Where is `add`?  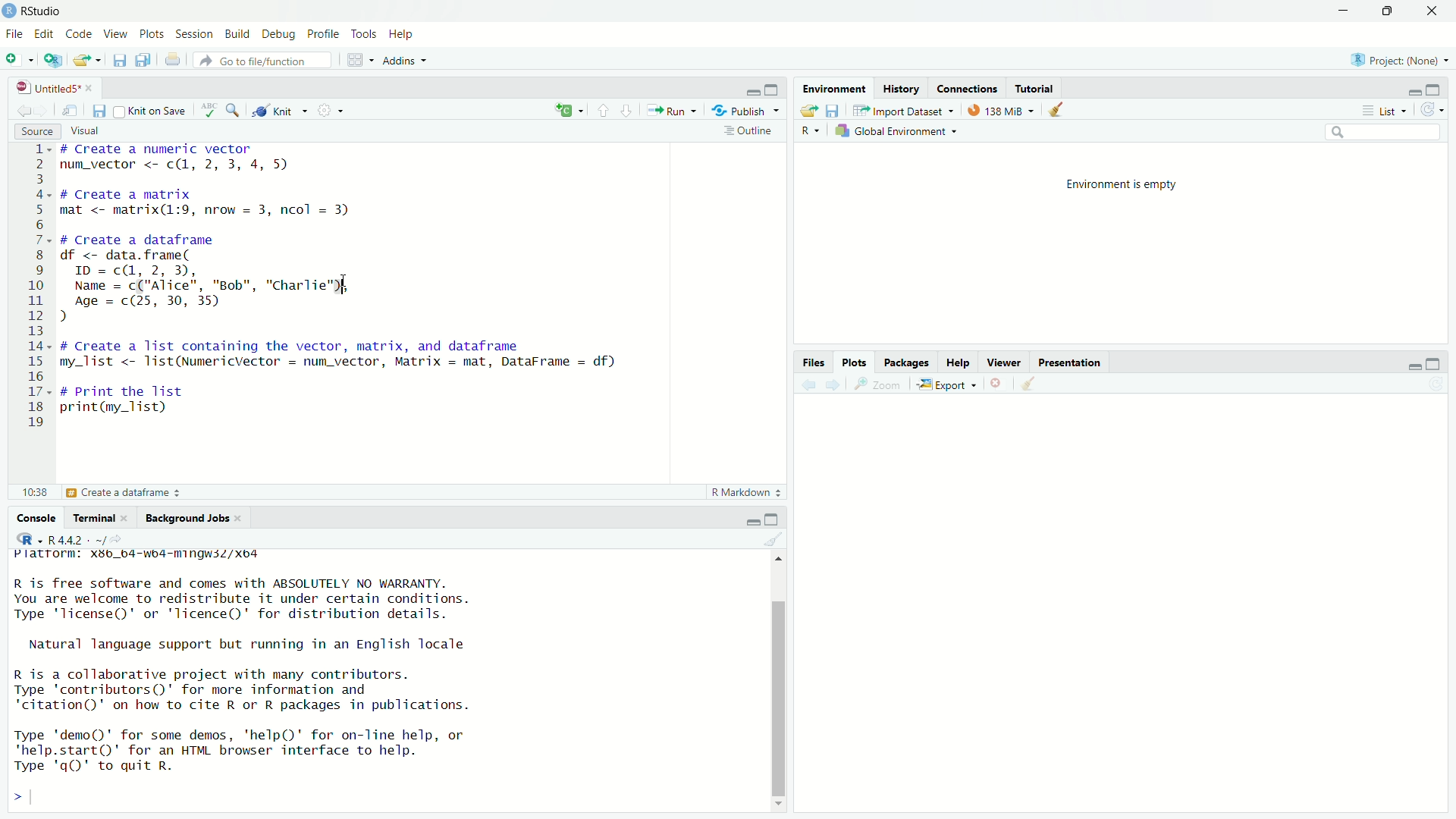 add is located at coordinates (568, 111).